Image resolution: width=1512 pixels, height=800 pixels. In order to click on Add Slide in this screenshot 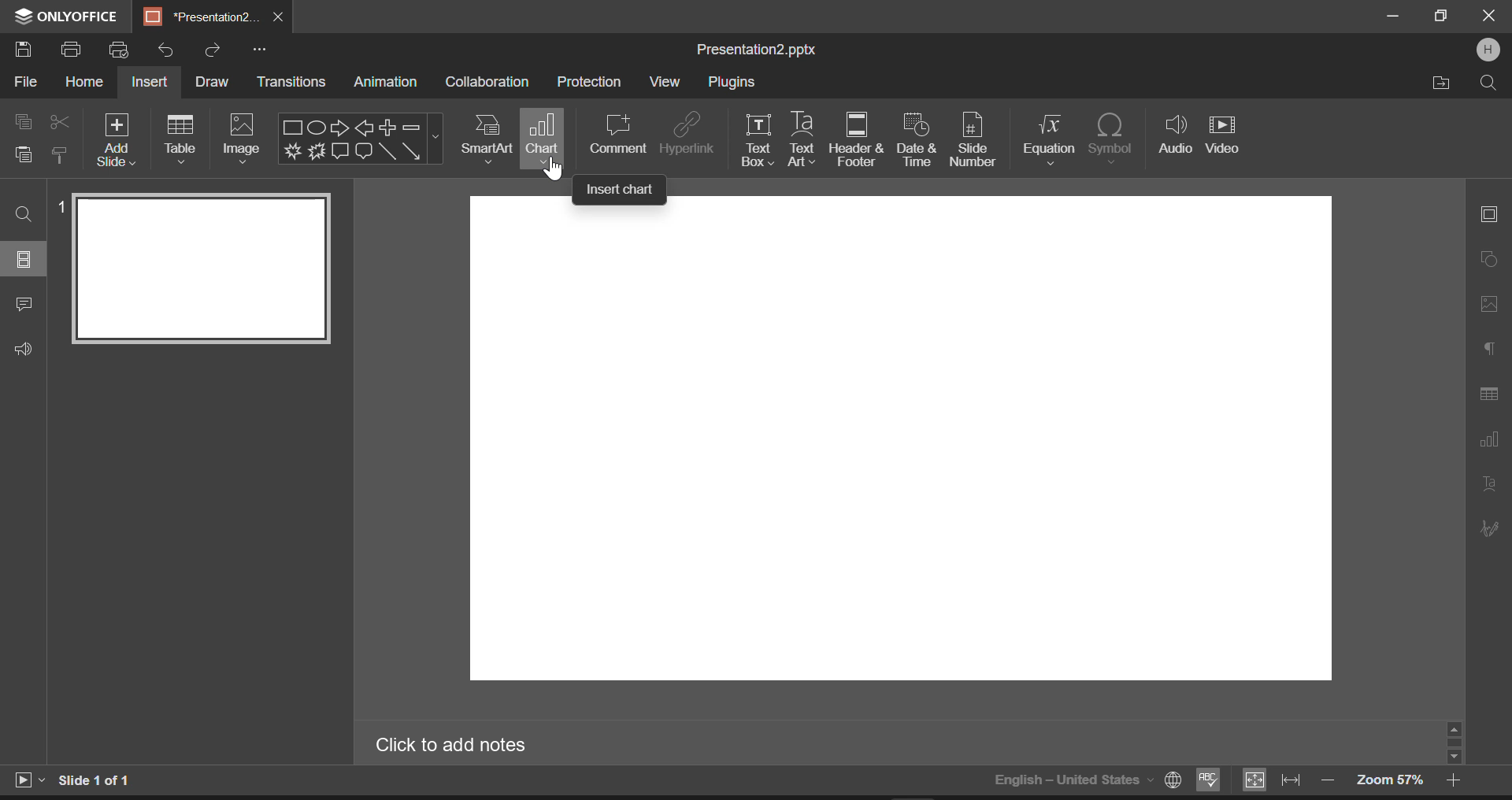, I will do `click(117, 139)`.